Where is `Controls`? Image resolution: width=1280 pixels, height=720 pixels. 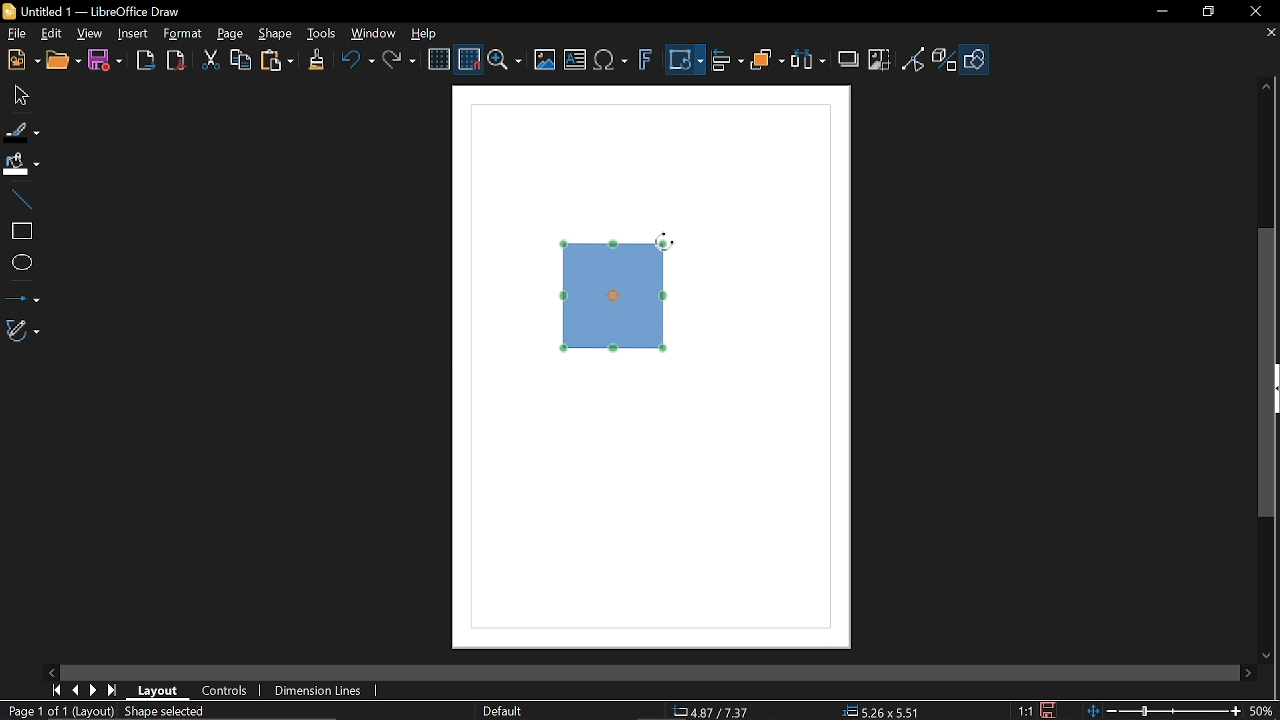
Controls is located at coordinates (224, 691).